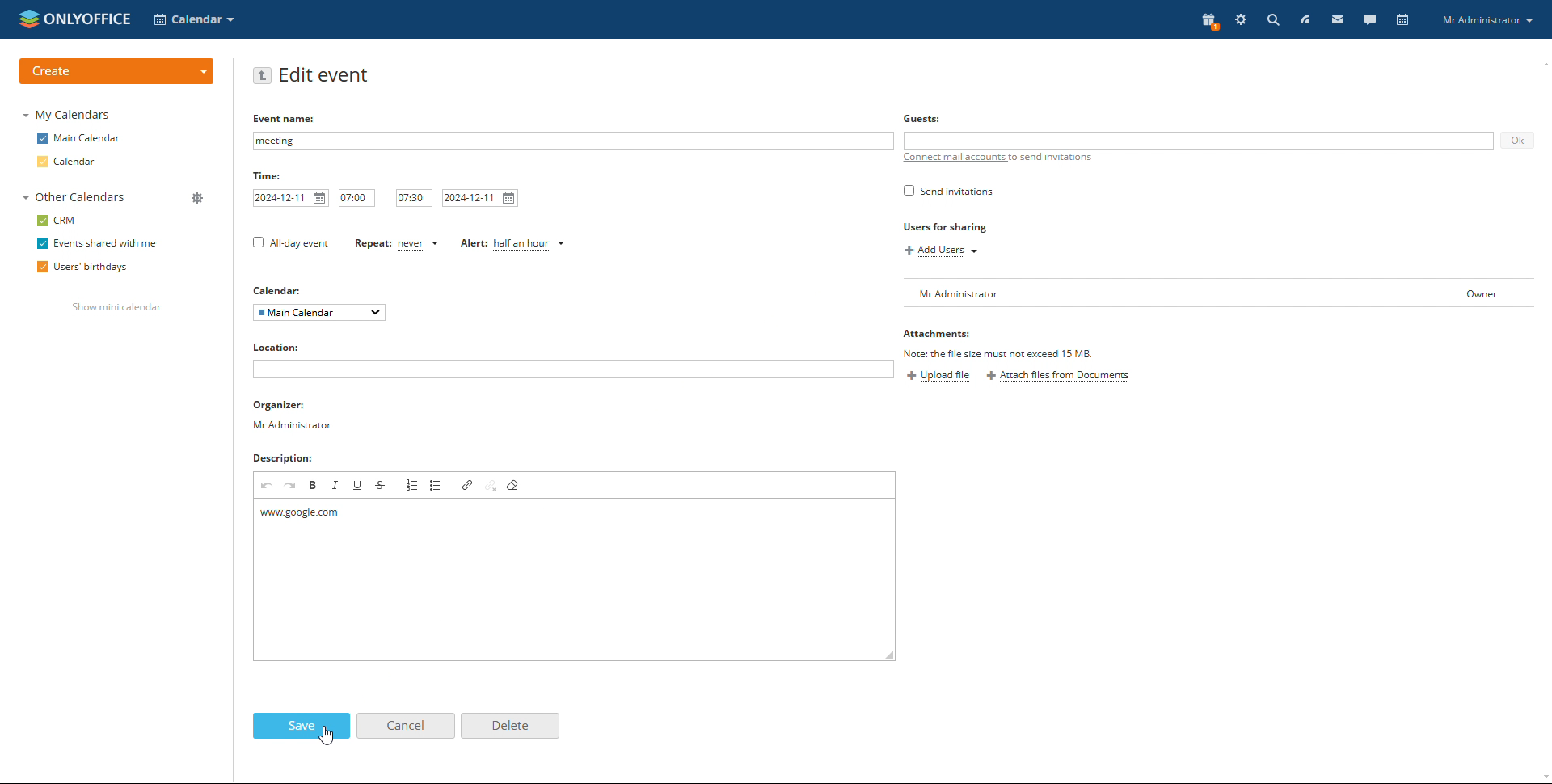 This screenshot has width=1552, height=784. Describe the element at coordinates (407, 726) in the screenshot. I see `cancel` at that location.